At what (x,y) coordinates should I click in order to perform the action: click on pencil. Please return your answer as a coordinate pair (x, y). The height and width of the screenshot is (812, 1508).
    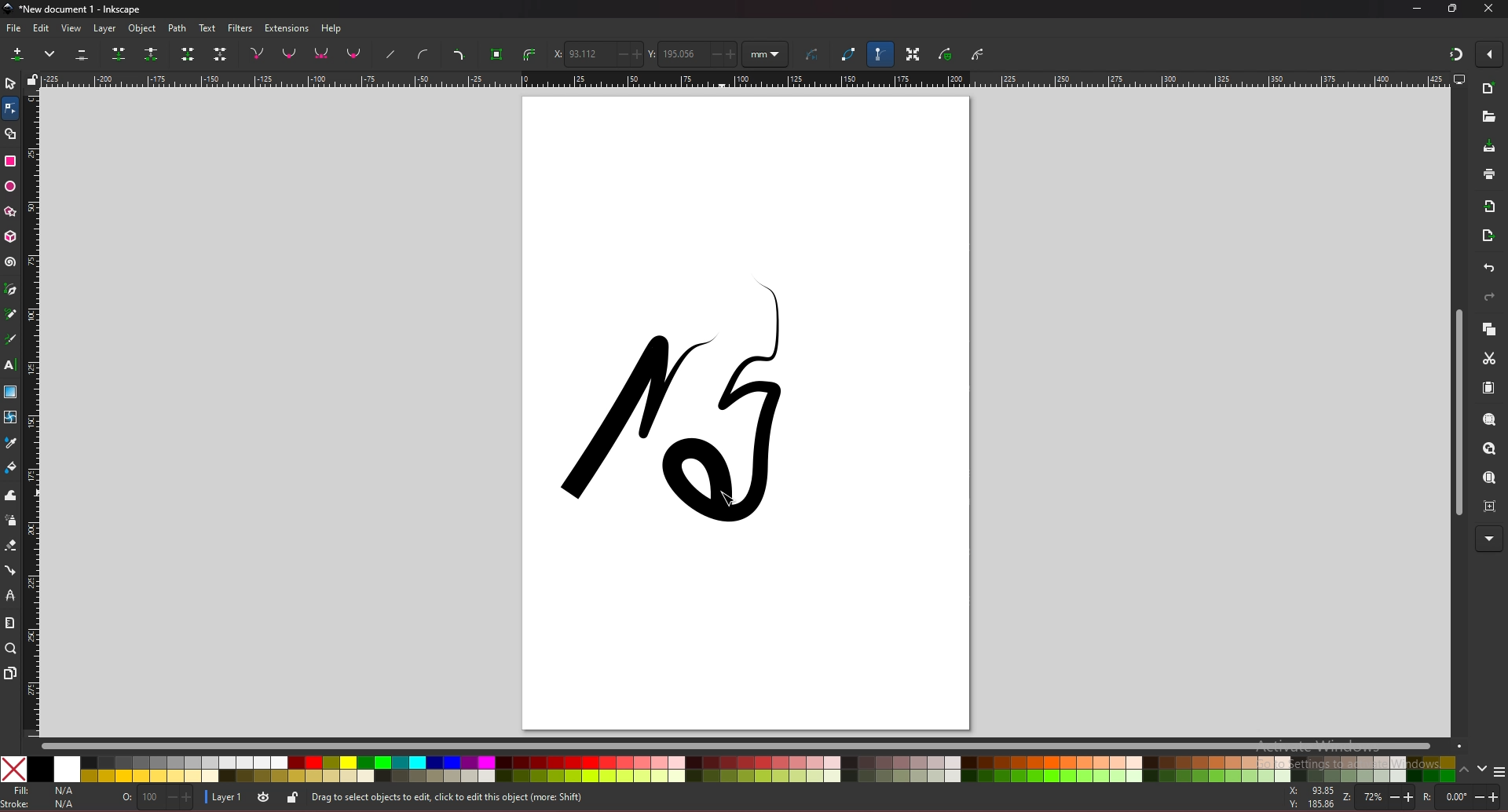
    Looking at the image, I should click on (11, 313).